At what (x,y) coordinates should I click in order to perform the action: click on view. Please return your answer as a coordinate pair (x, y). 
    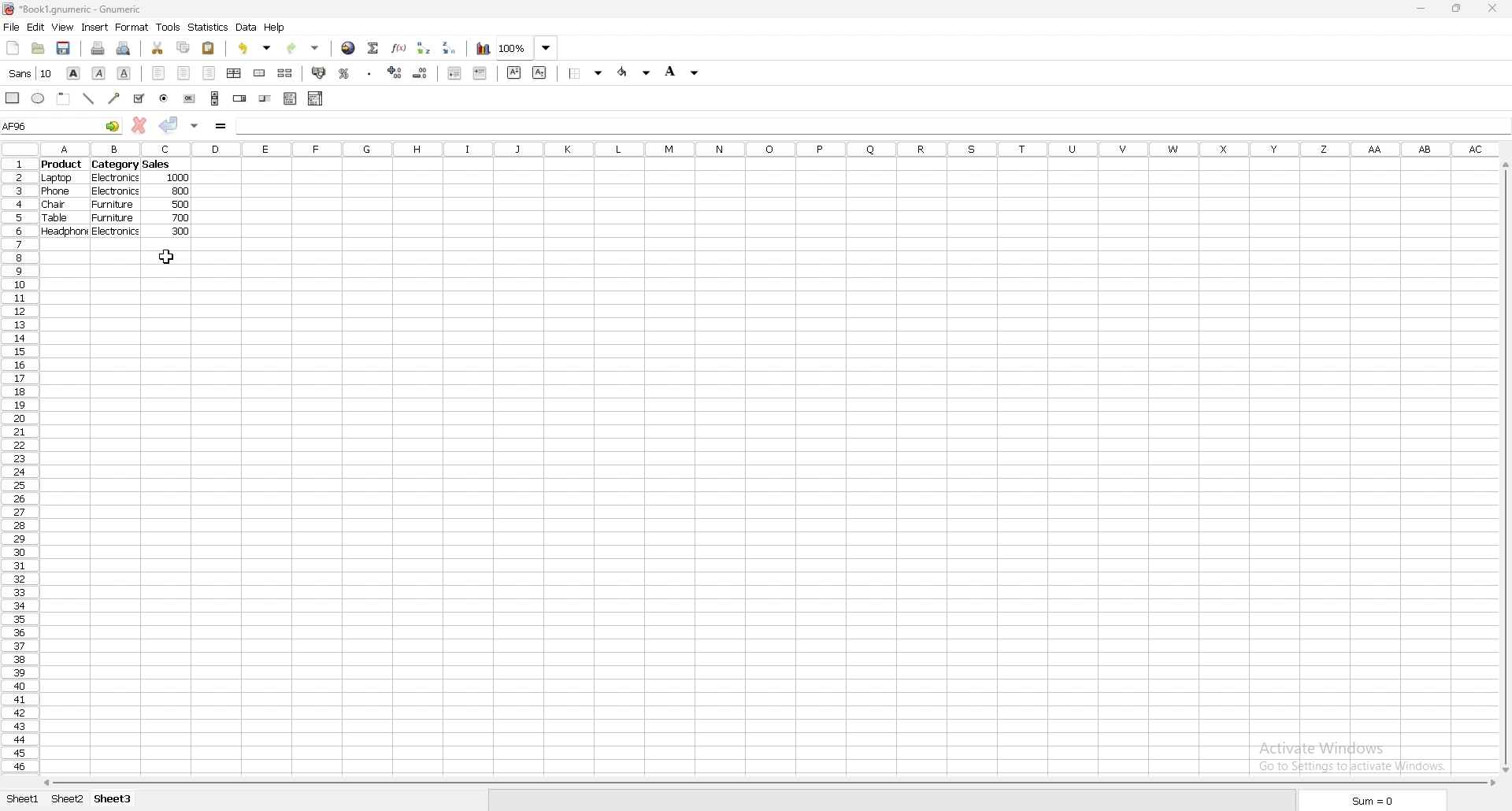
    Looking at the image, I should click on (62, 28).